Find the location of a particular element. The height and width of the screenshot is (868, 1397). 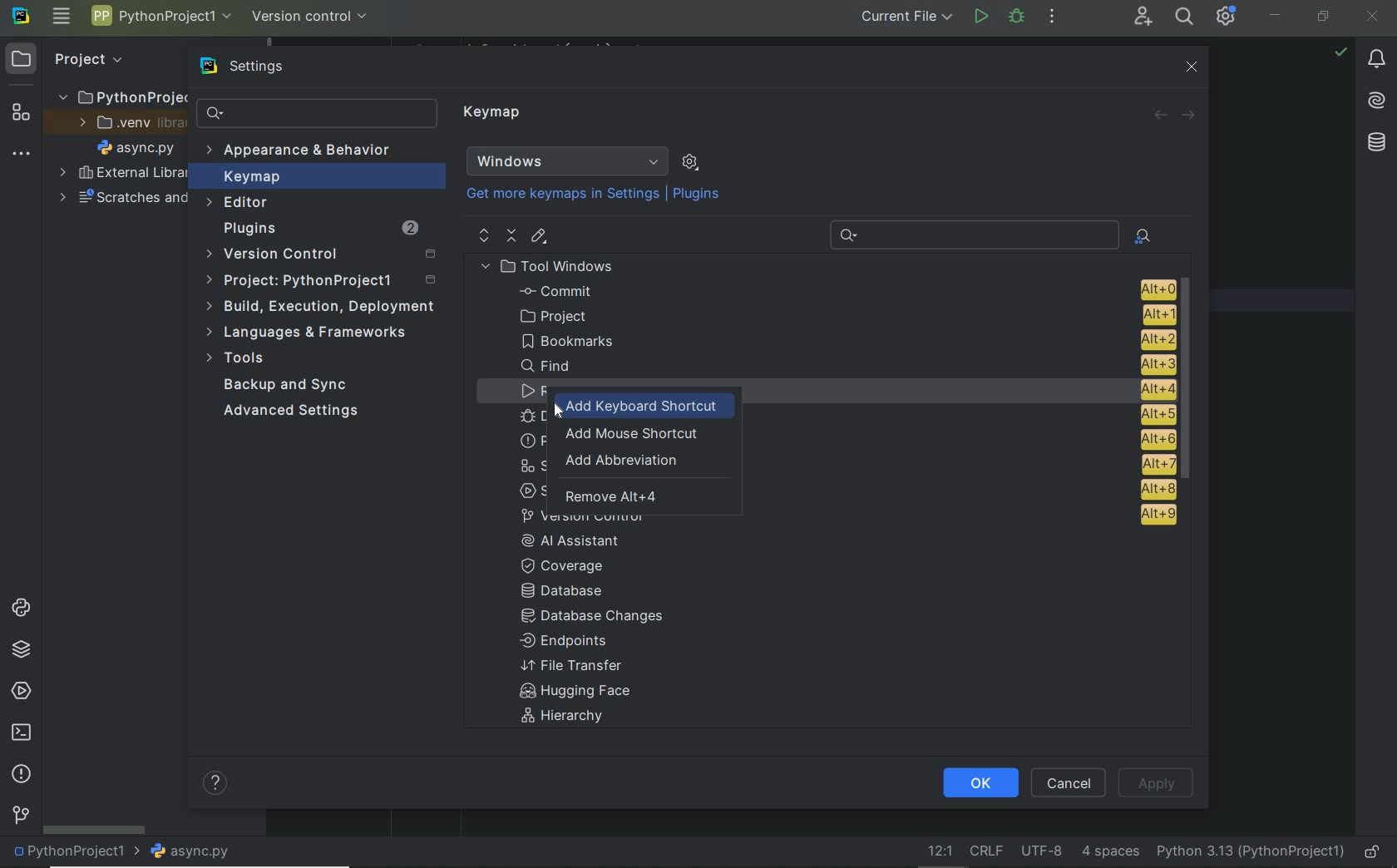

External Libraries is located at coordinates (119, 174).